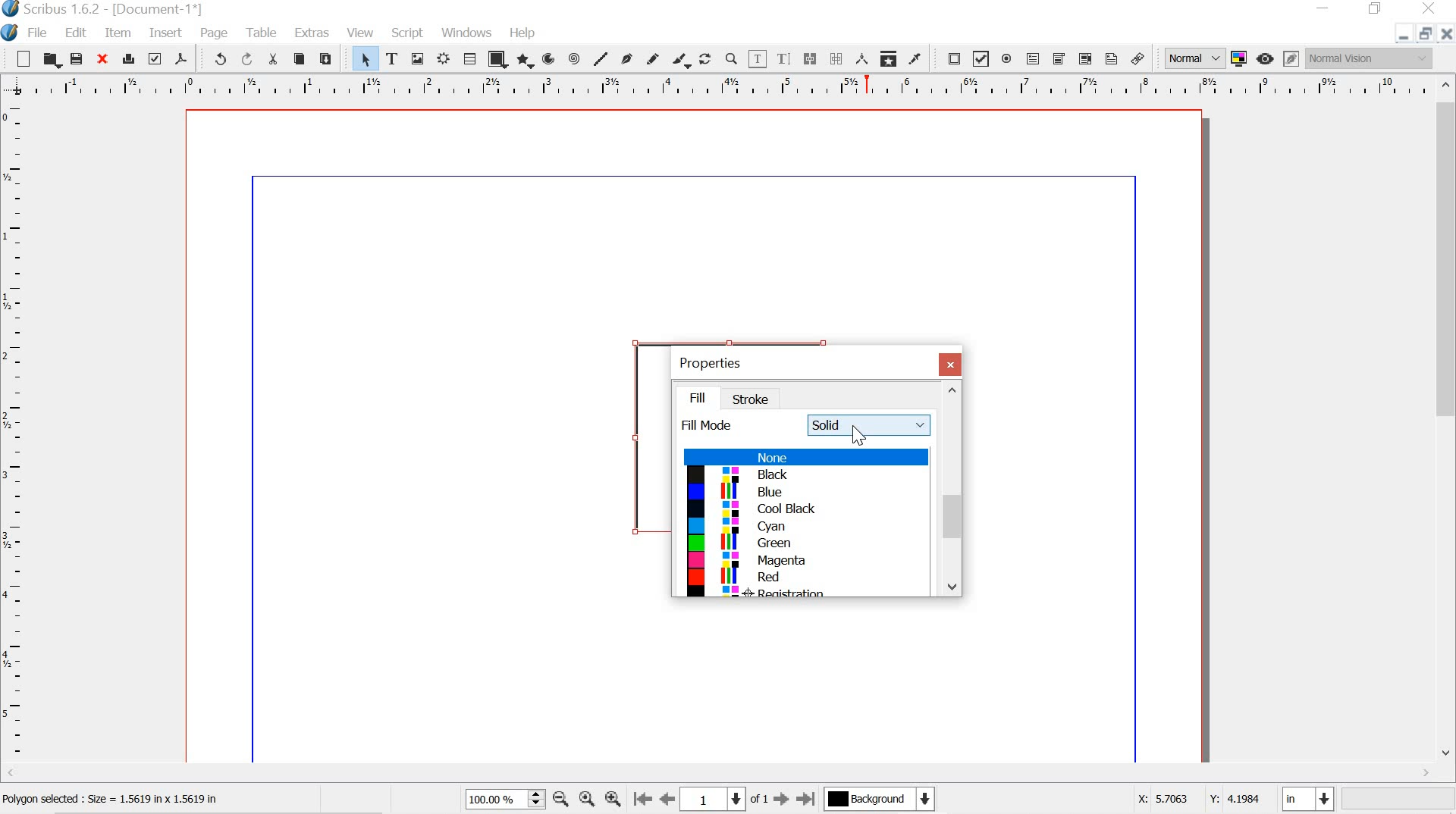 Image resolution: width=1456 pixels, height=814 pixels. What do you see at coordinates (860, 59) in the screenshot?
I see `measurements` at bounding box center [860, 59].